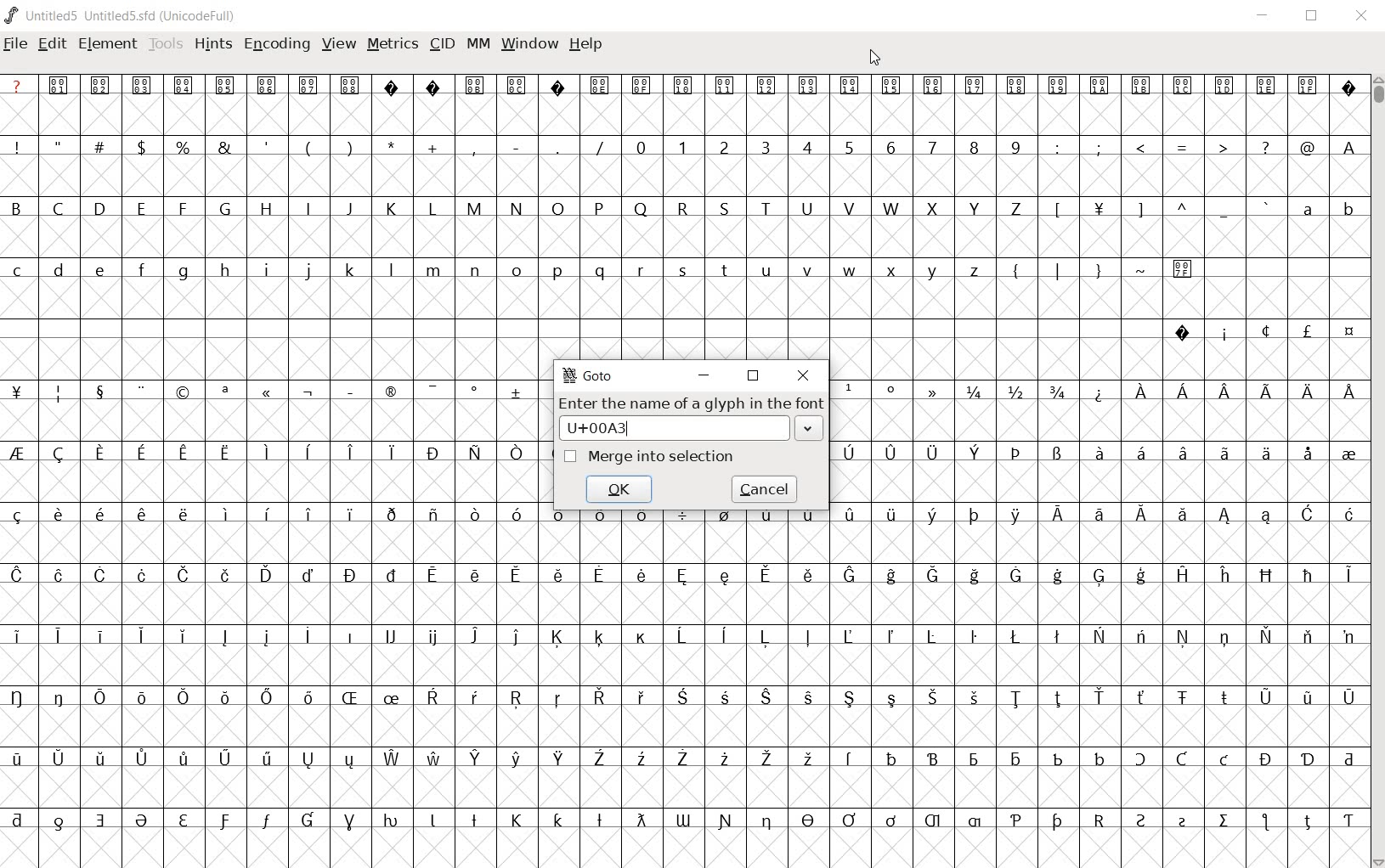  I want to click on p, so click(557, 272).